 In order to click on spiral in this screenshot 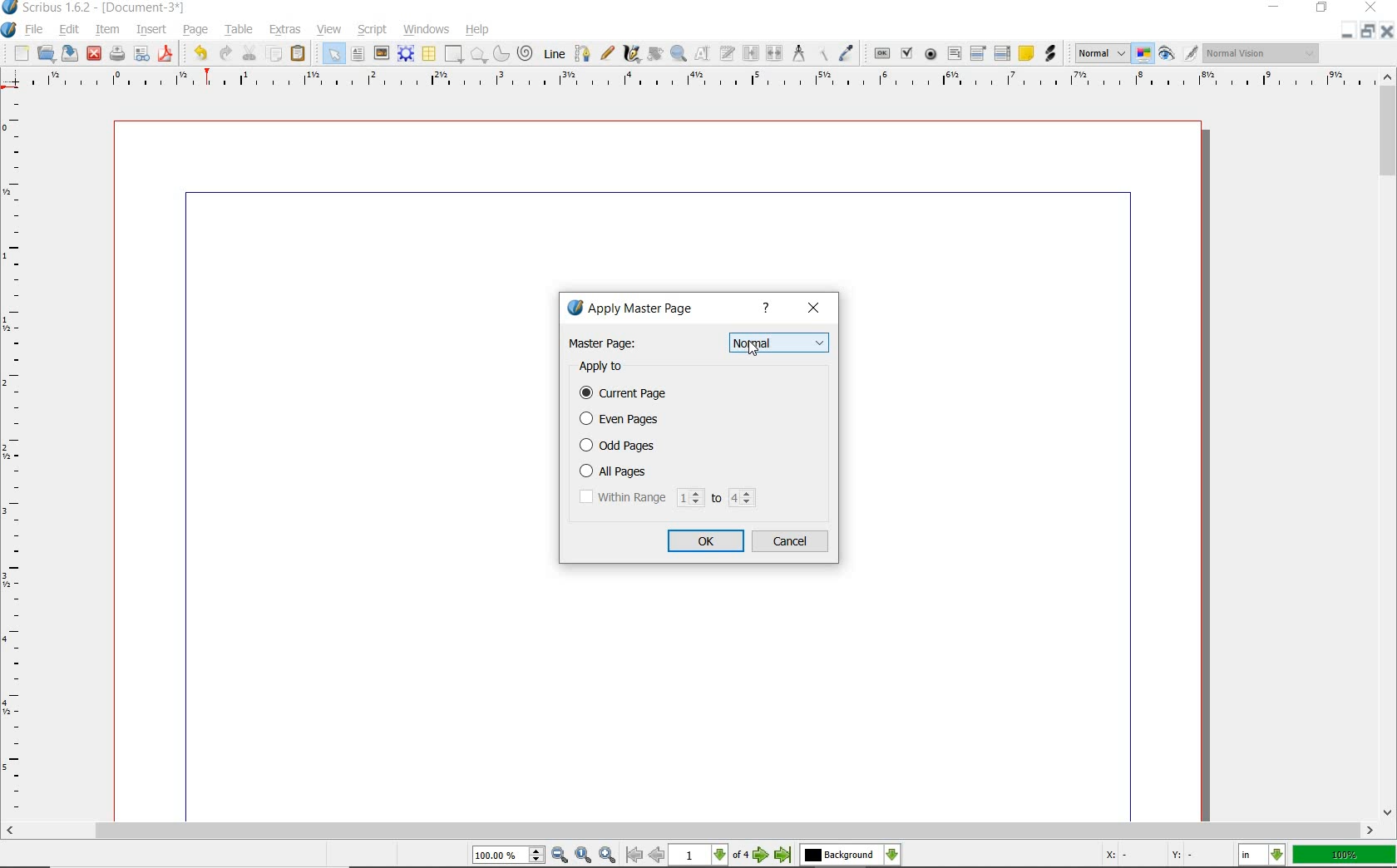, I will do `click(525, 51)`.